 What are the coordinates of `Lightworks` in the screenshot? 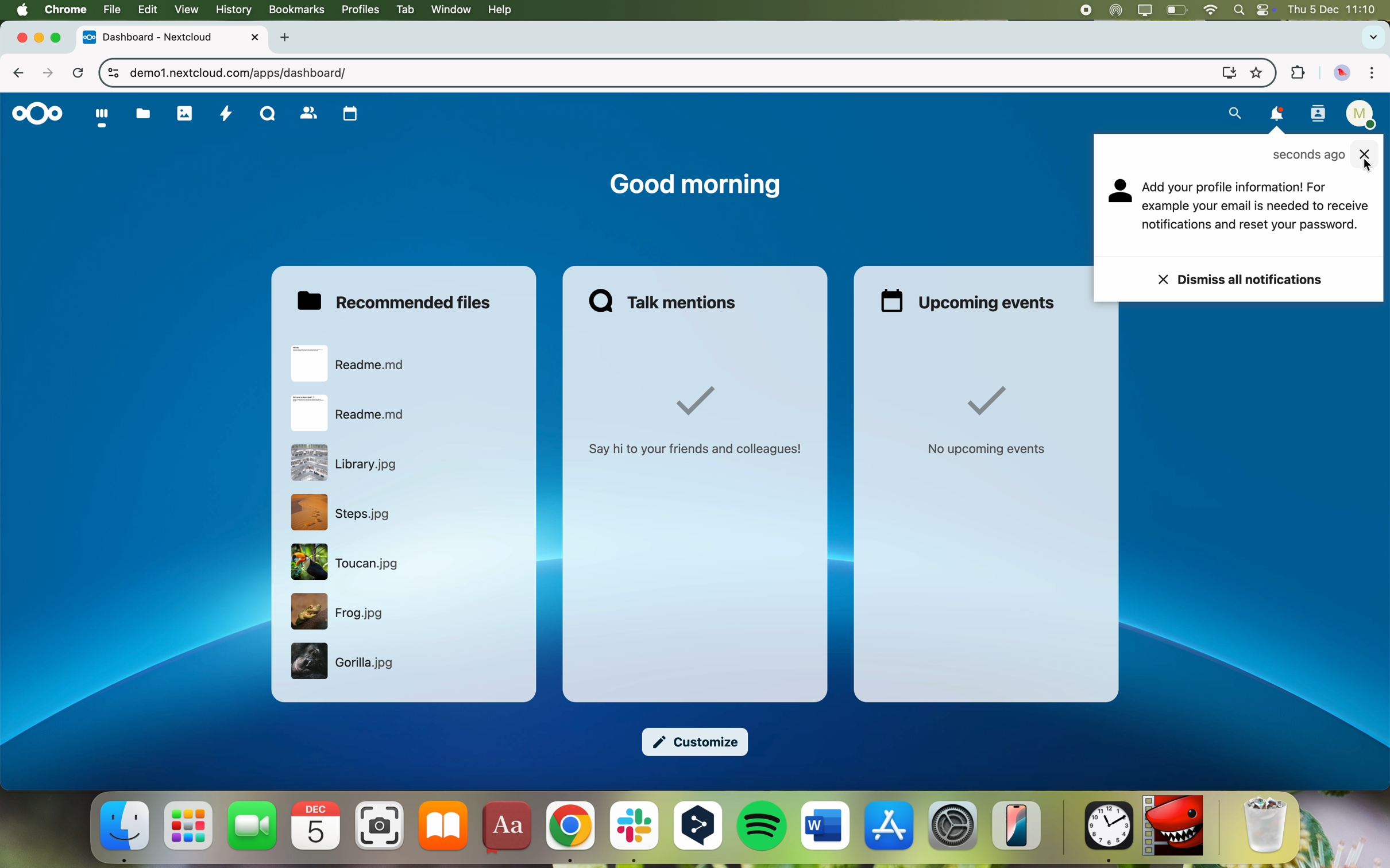 It's located at (1173, 827).